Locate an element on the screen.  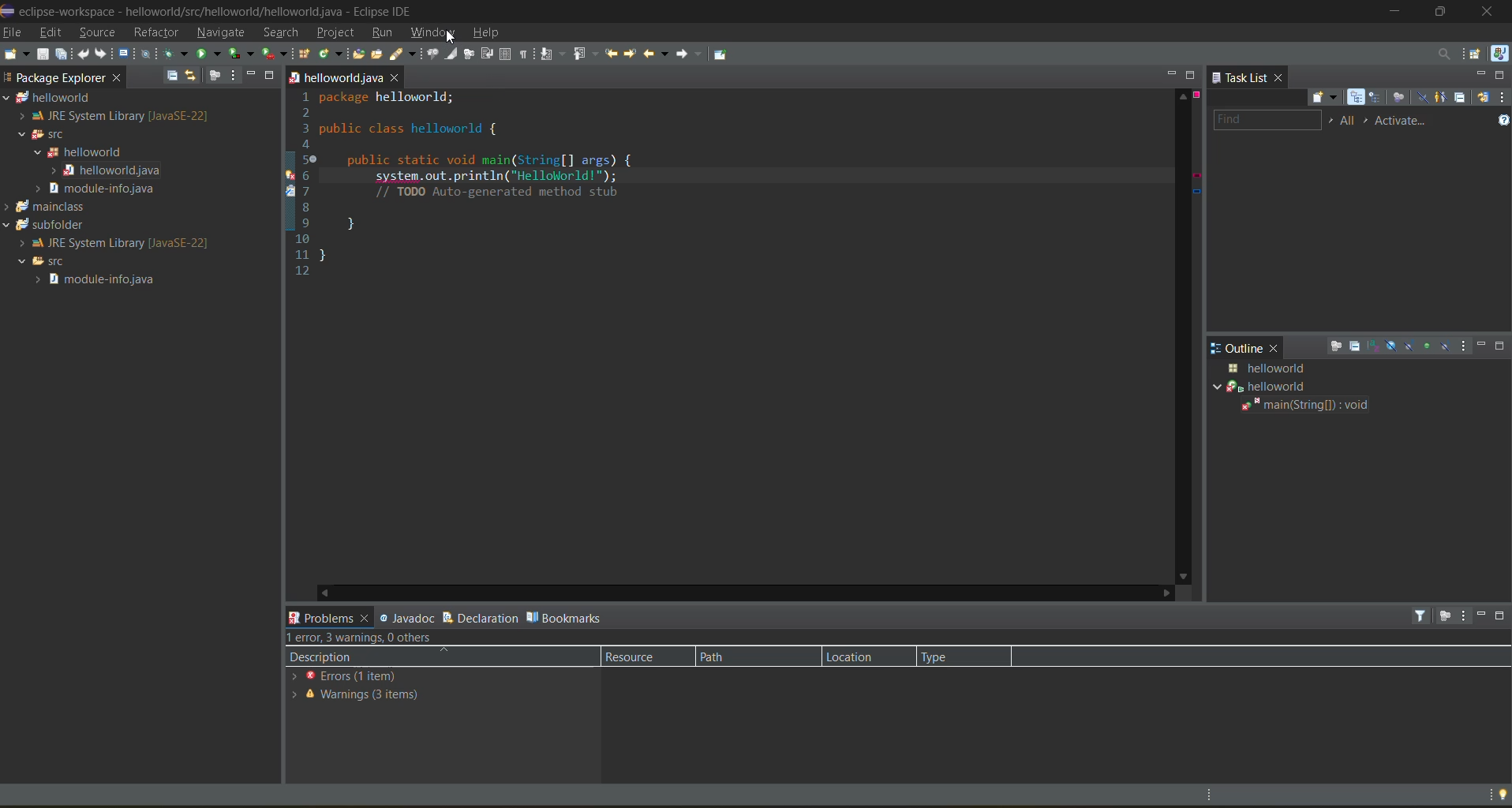
mainclass is located at coordinates (71, 208).